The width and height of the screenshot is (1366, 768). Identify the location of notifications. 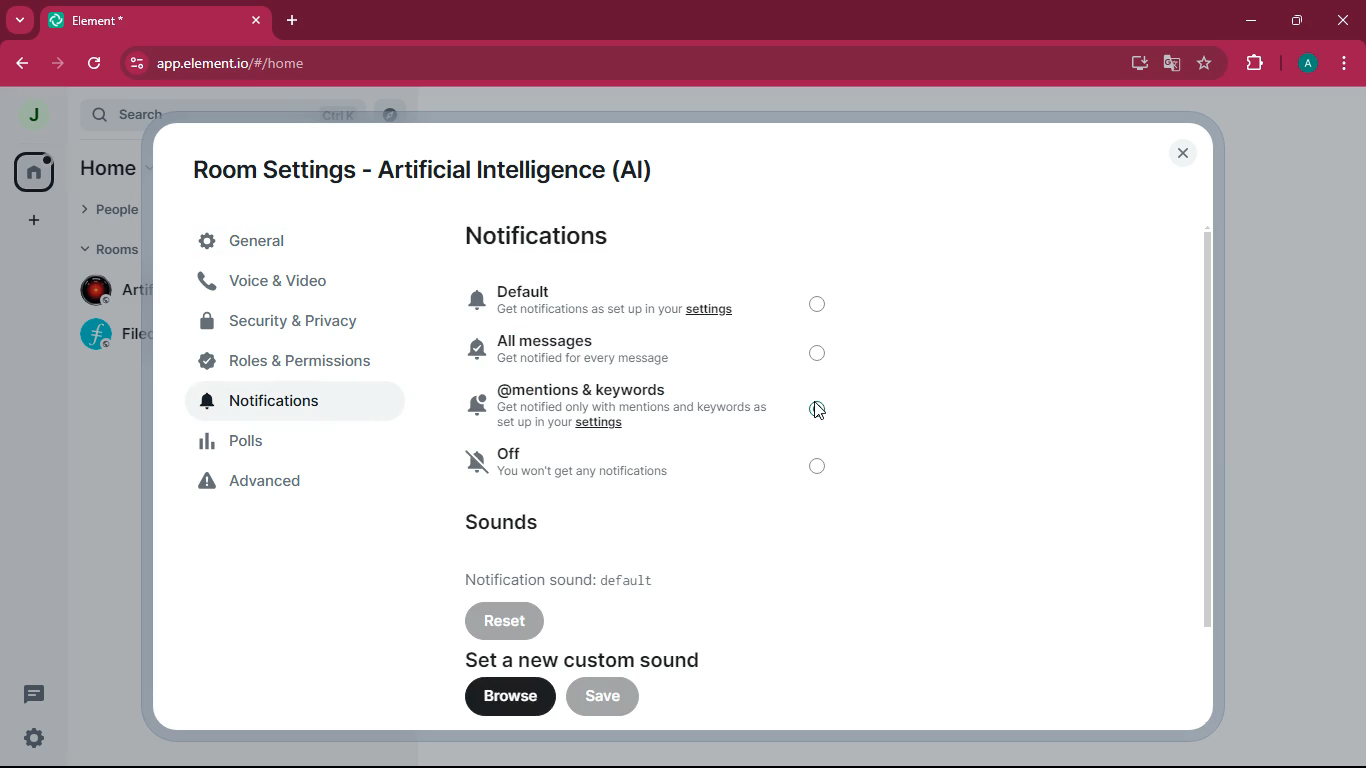
(295, 402).